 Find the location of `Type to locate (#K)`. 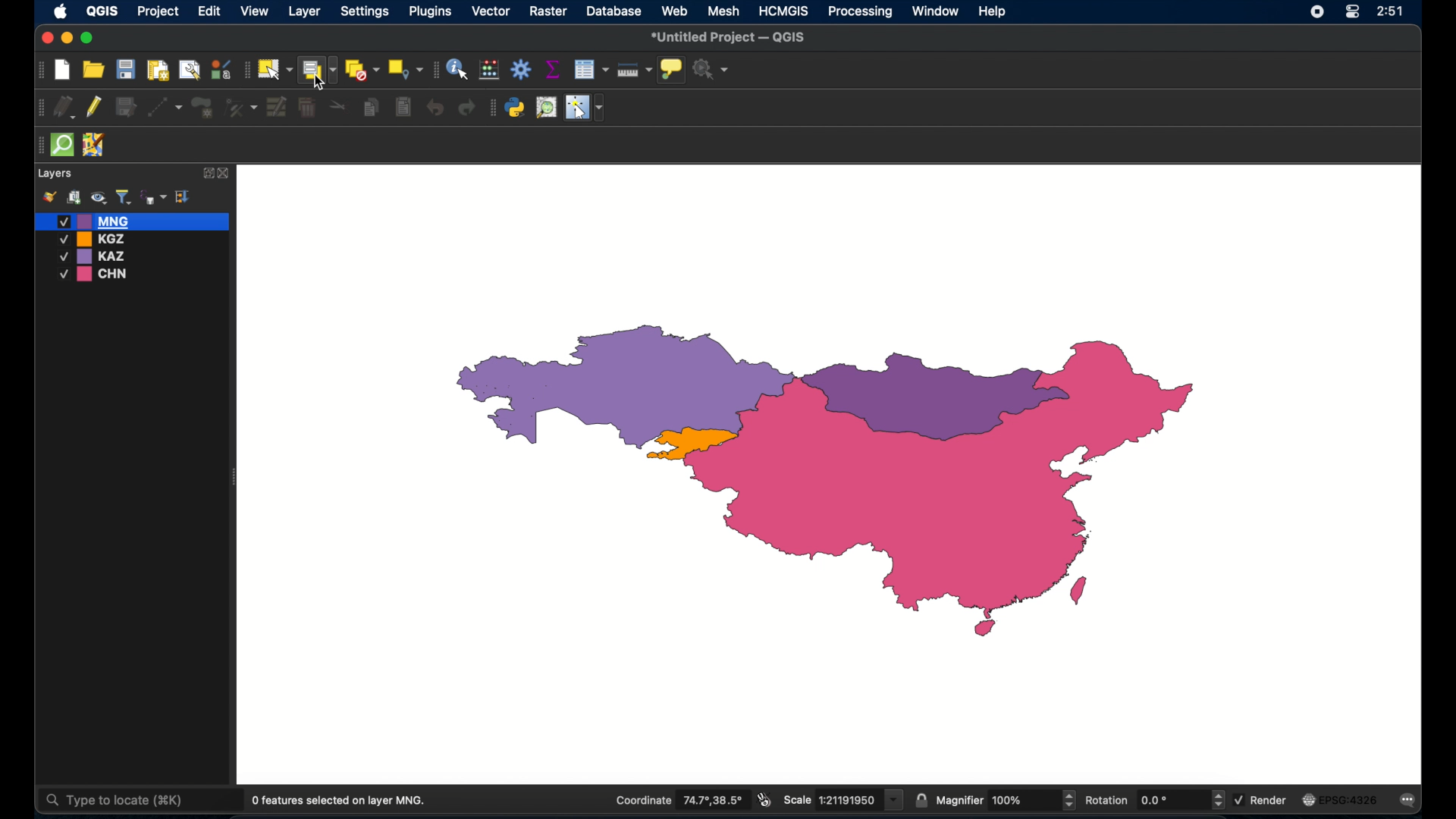

Type to locate (#K) is located at coordinates (127, 802).